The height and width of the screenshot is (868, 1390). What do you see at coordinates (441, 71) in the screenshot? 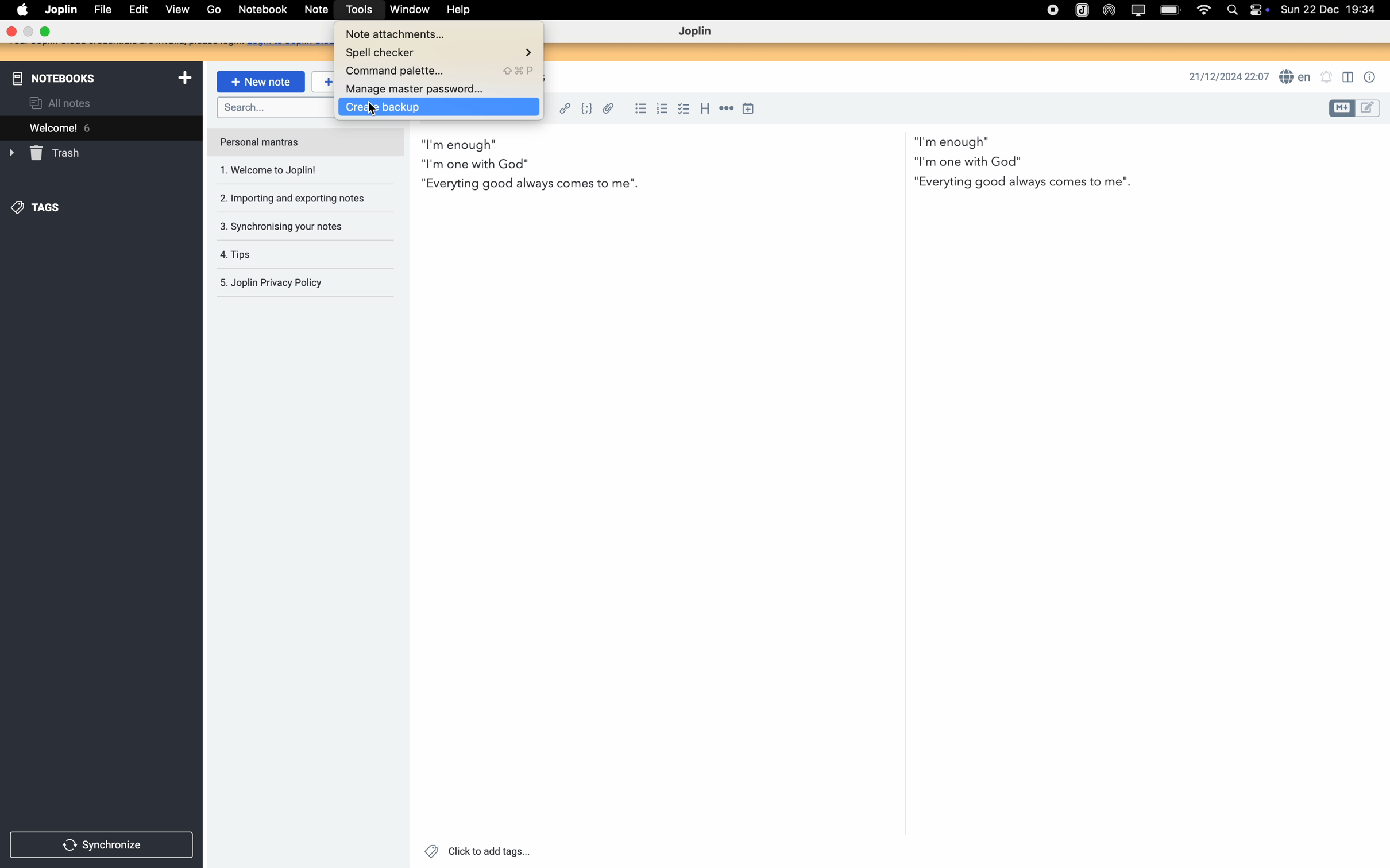
I see `command palette` at bounding box center [441, 71].